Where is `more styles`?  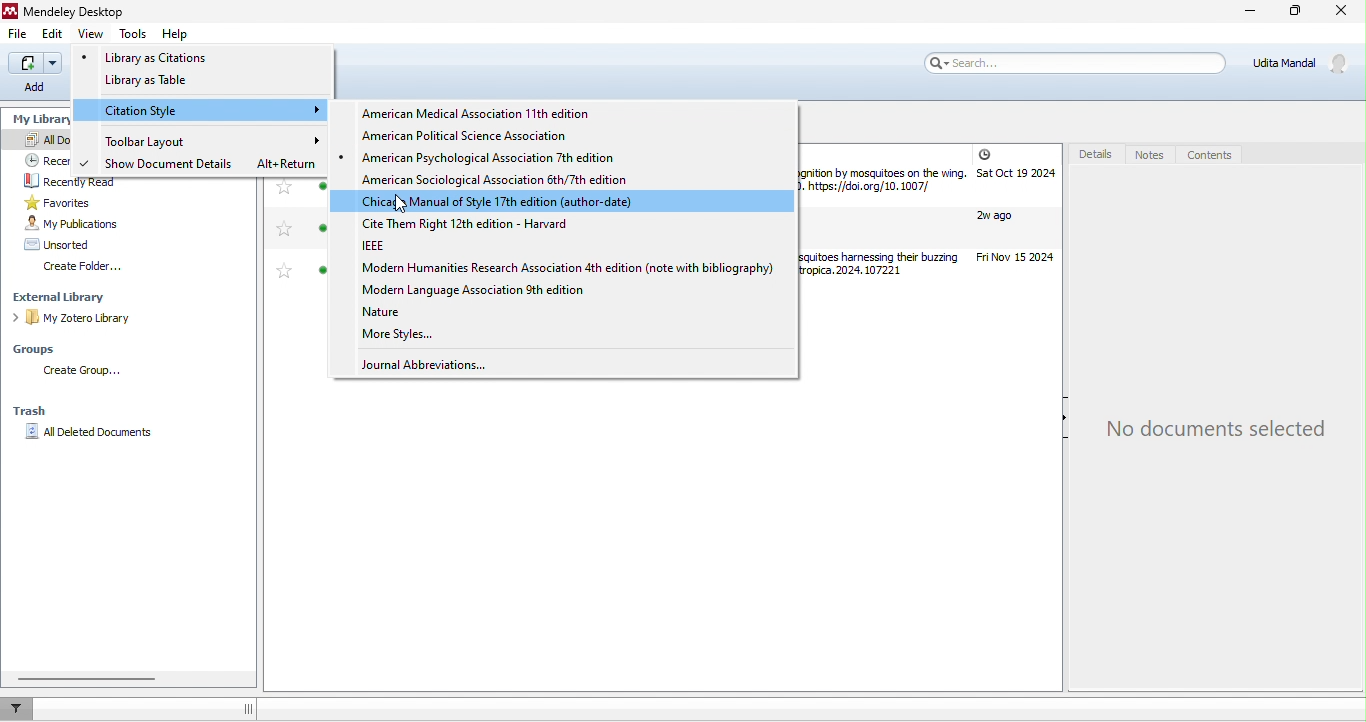
more styles is located at coordinates (394, 334).